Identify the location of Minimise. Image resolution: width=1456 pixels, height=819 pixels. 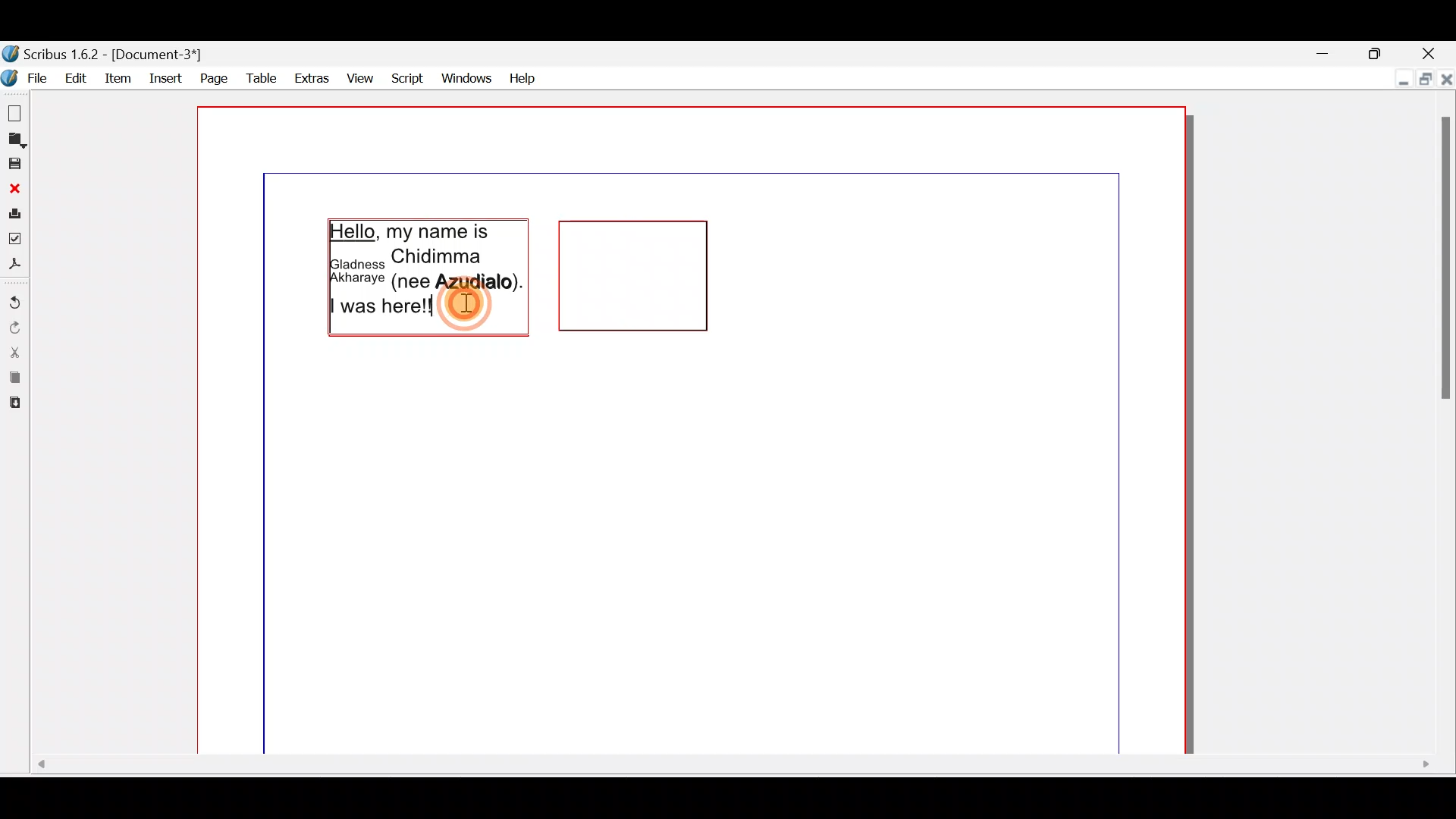
(1323, 52).